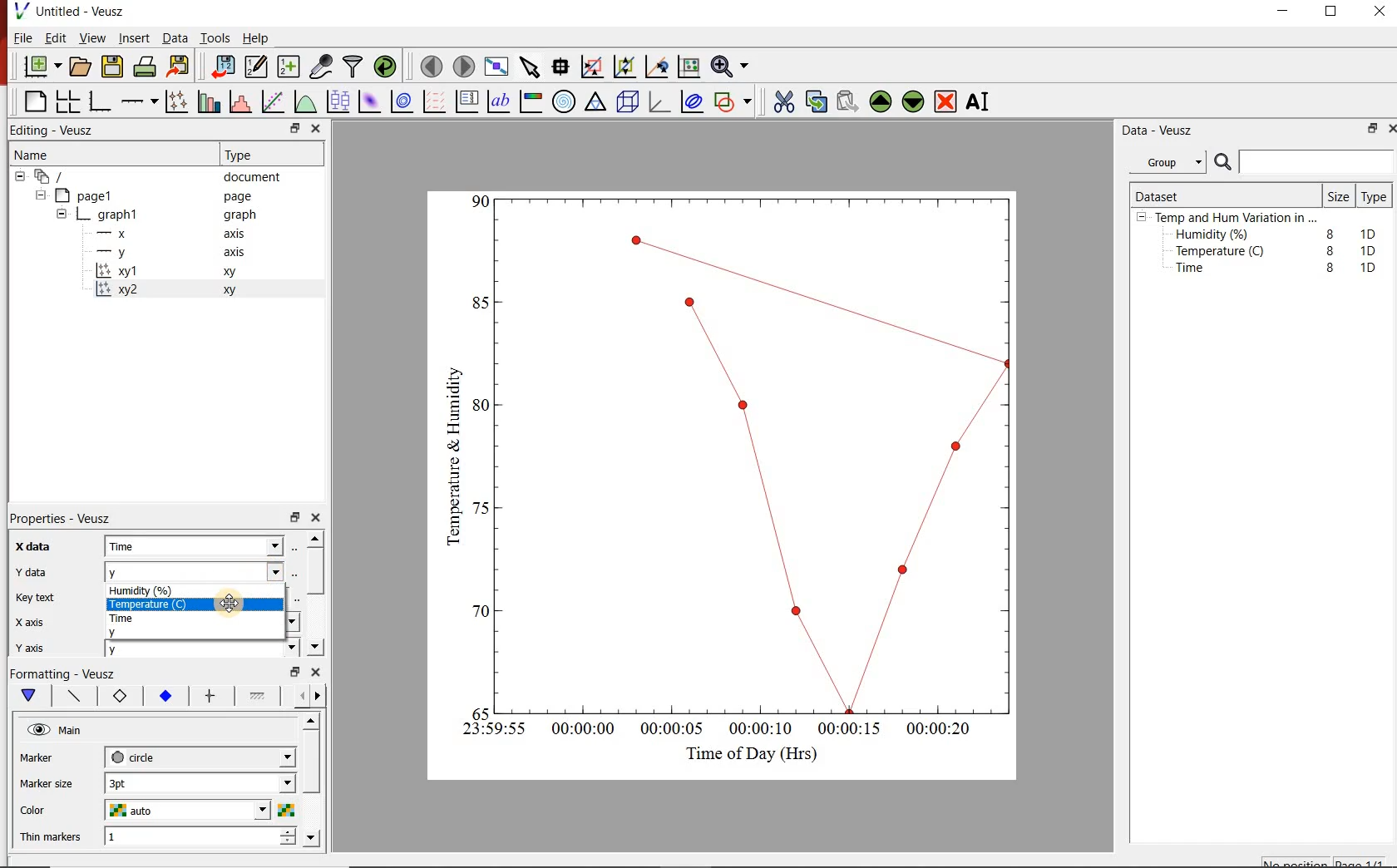 The image size is (1397, 868). Describe the element at coordinates (981, 101) in the screenshot. I see `Rename the selected widget` at that location.